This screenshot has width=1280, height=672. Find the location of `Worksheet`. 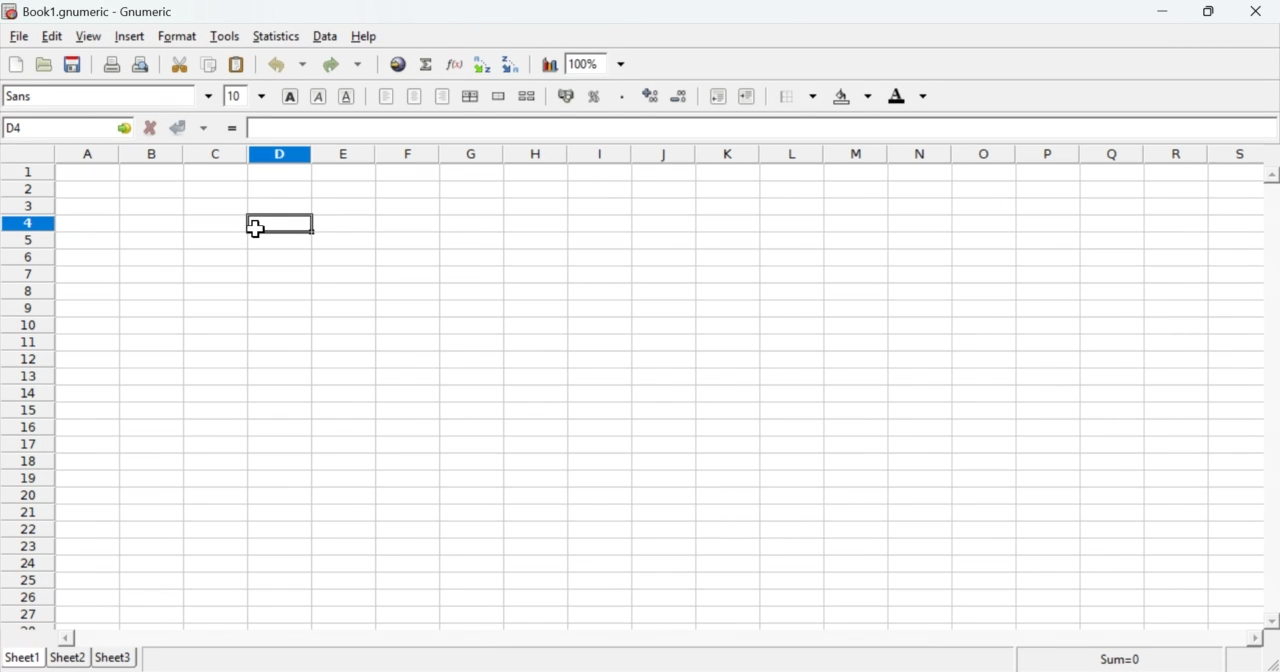

Worksheet is located at coordinates (659, 396).